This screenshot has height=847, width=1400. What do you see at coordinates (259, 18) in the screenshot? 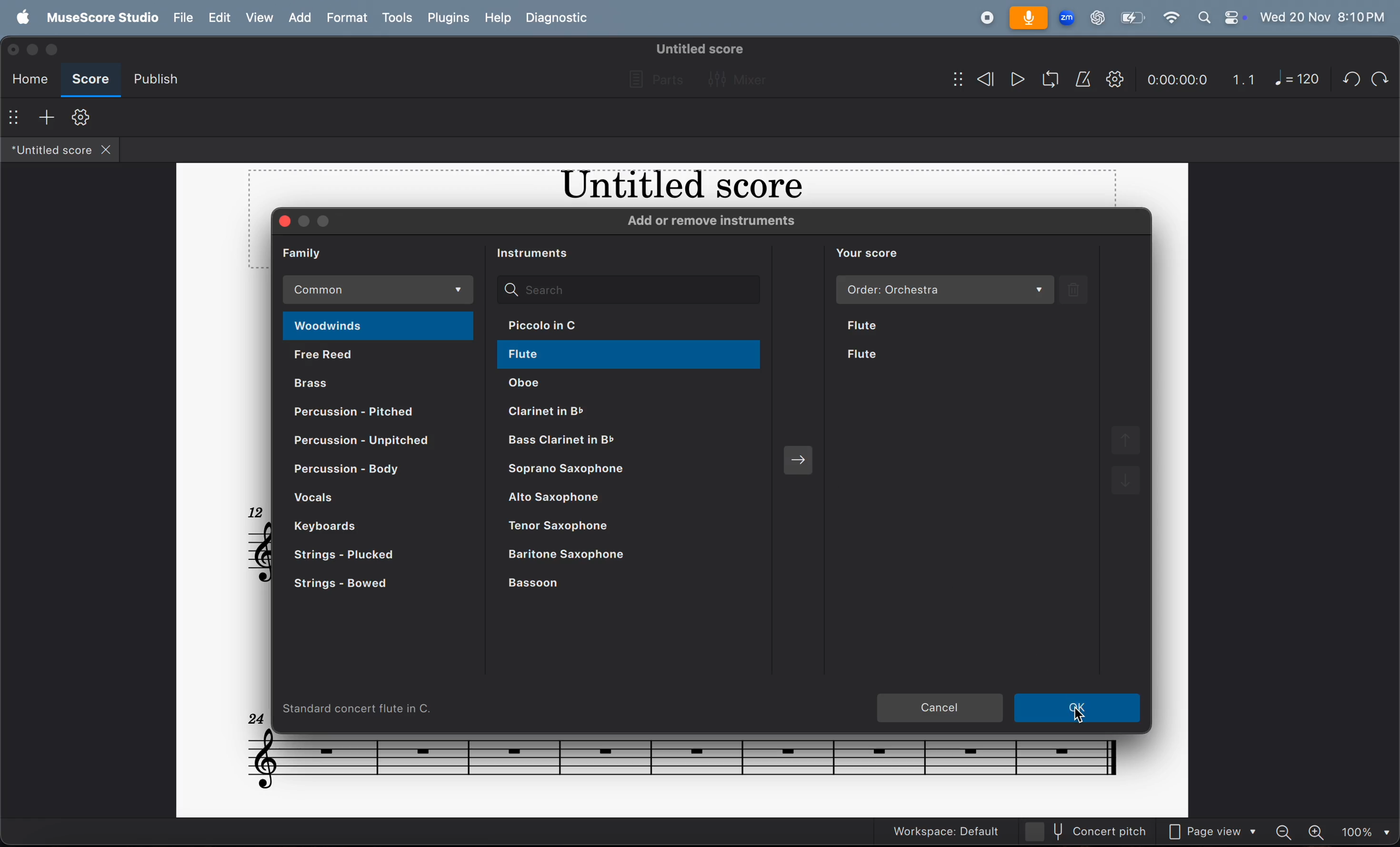
I see `view` at bounding box center [259, 18].